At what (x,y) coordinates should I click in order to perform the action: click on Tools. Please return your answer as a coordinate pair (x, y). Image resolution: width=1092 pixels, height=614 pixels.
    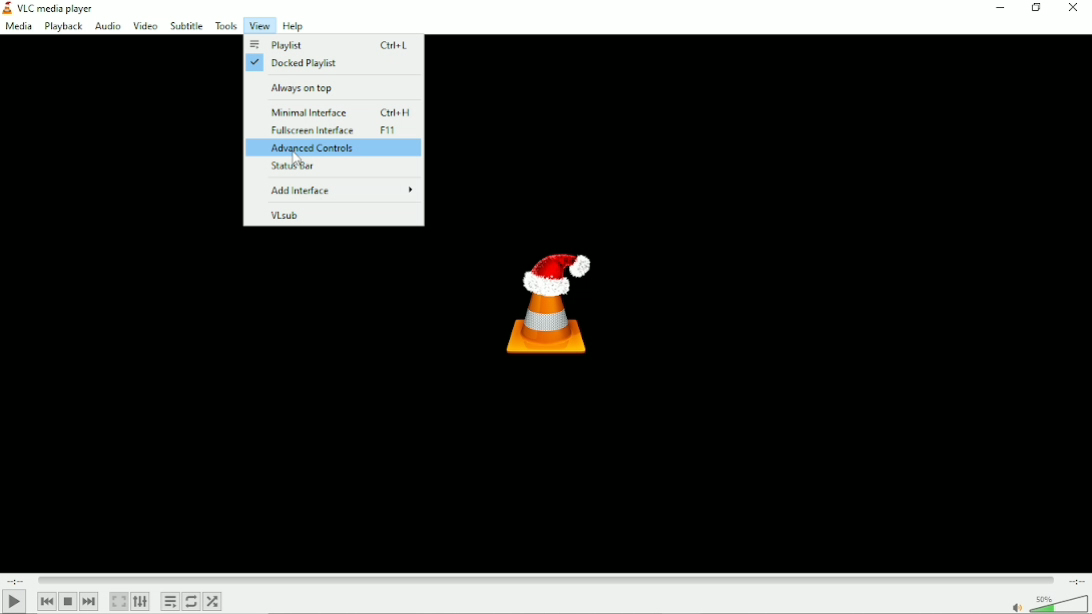
    Looking at the image, I should click on (224, 25).